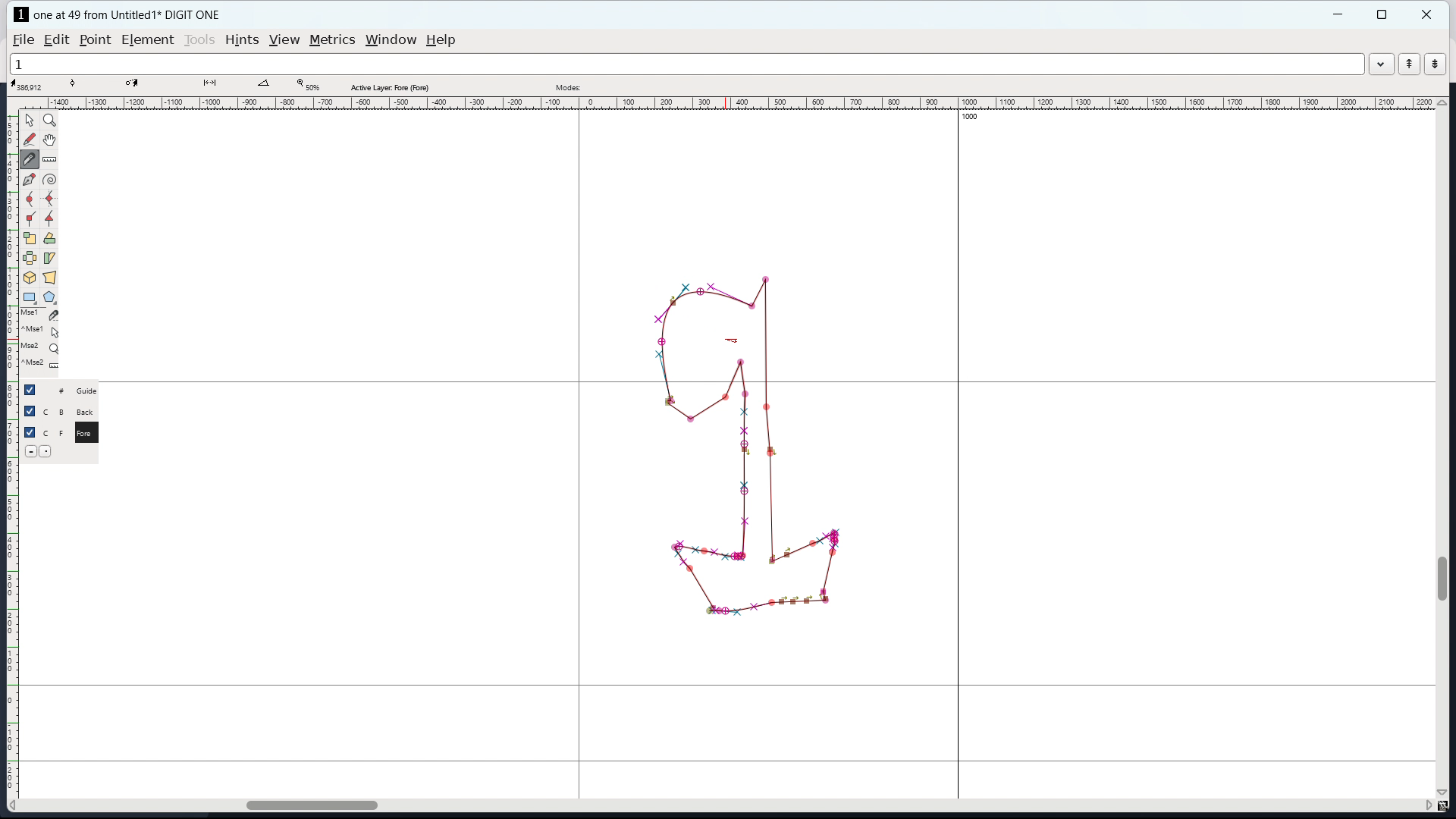 The width and height of the screenshot is (1456, 819). What do you see at coordinates (30, 450) in the screenshot?
I see `delete current layer` at bounding box center [30, 450].